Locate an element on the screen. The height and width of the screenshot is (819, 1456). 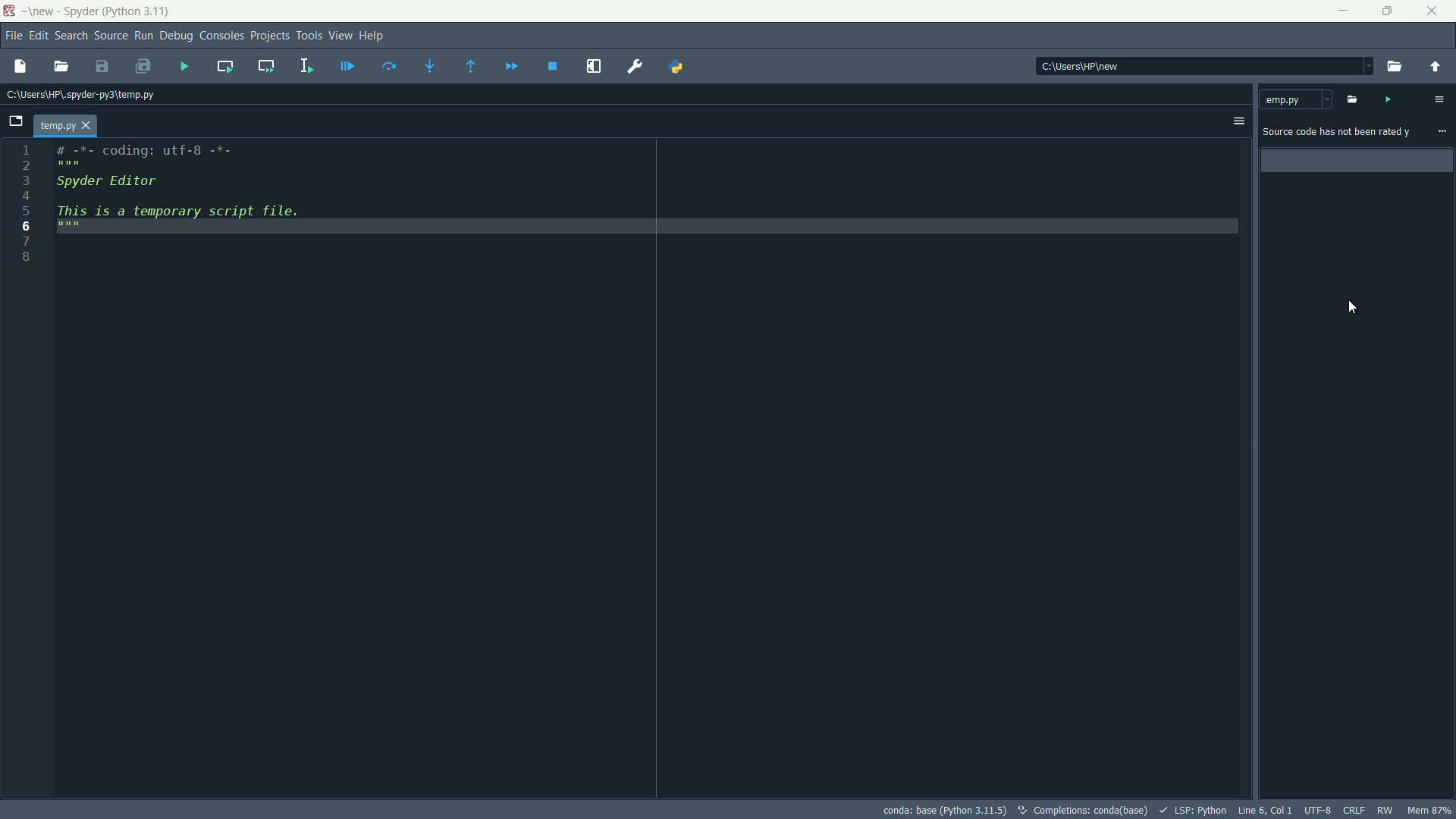
maximize current pane is located at coordinates (595, 66).